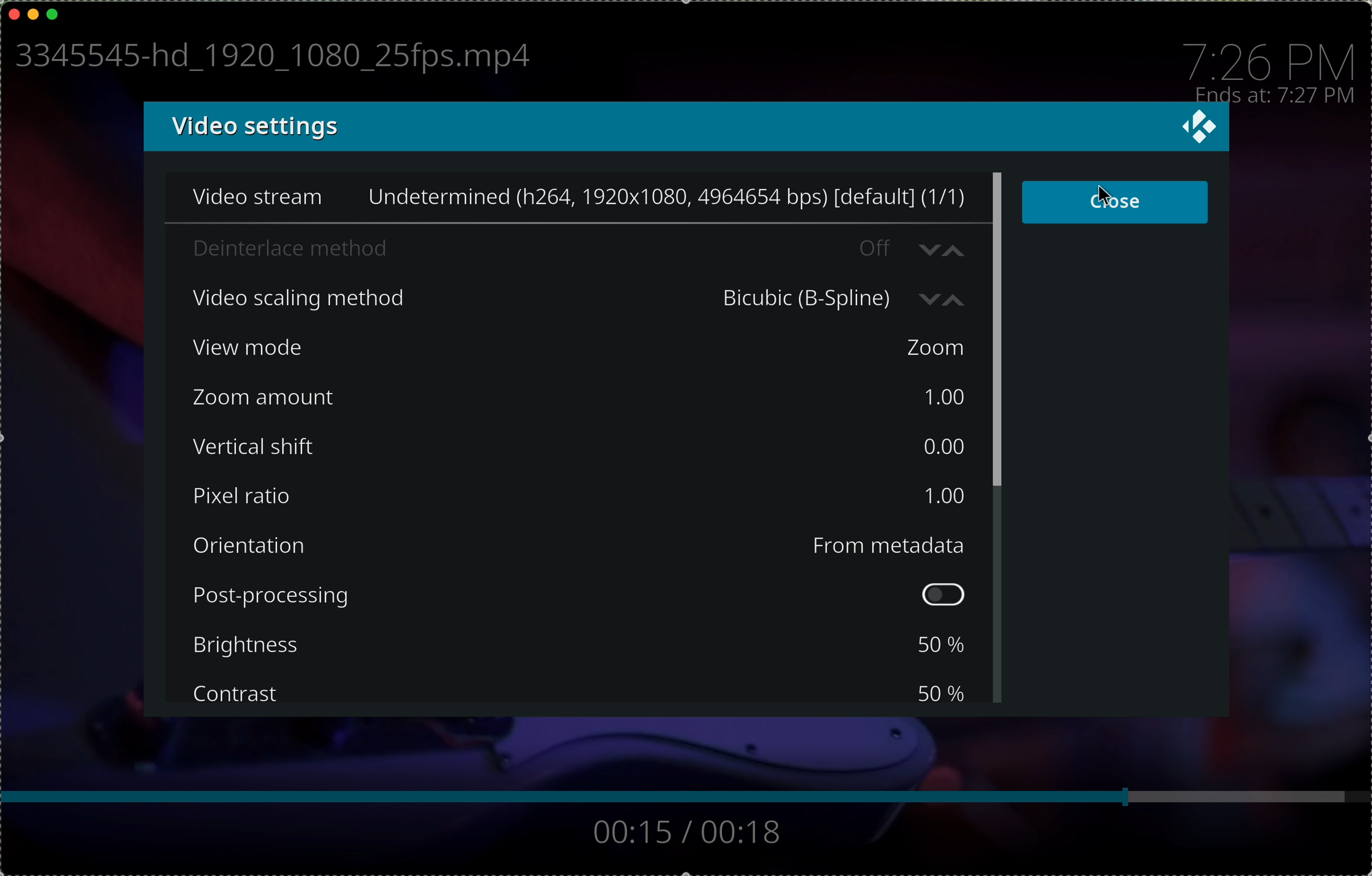 Image resolution: width=1372 pixels, height=876 pixels. Describe the element at coordinates (283, 396) in the screenshot. I see `Zoom amount` at that location.